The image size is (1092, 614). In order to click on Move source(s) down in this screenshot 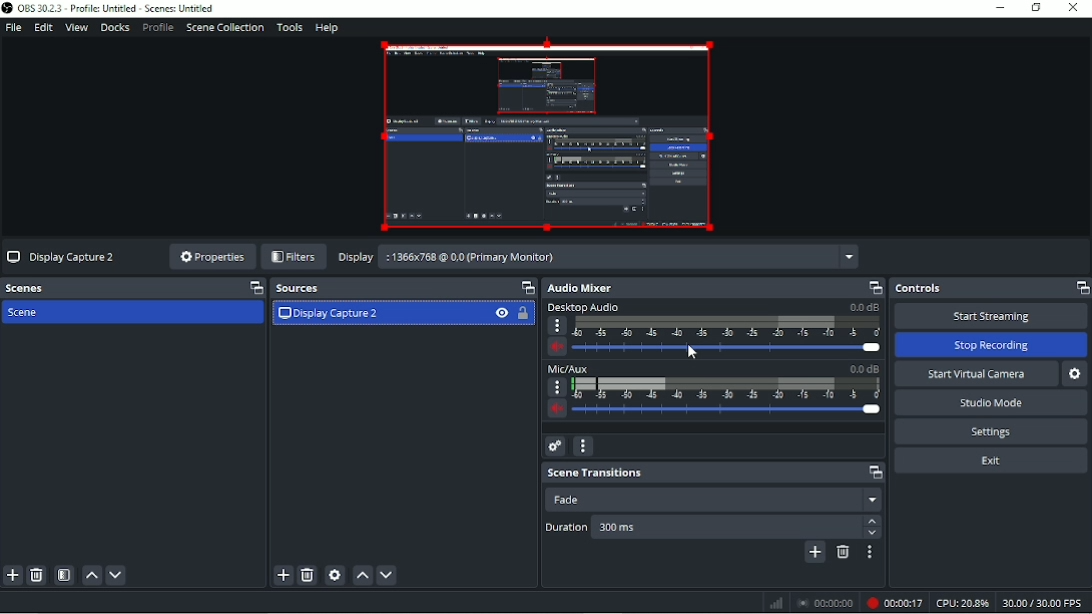, I will do `click(387, 576)`.